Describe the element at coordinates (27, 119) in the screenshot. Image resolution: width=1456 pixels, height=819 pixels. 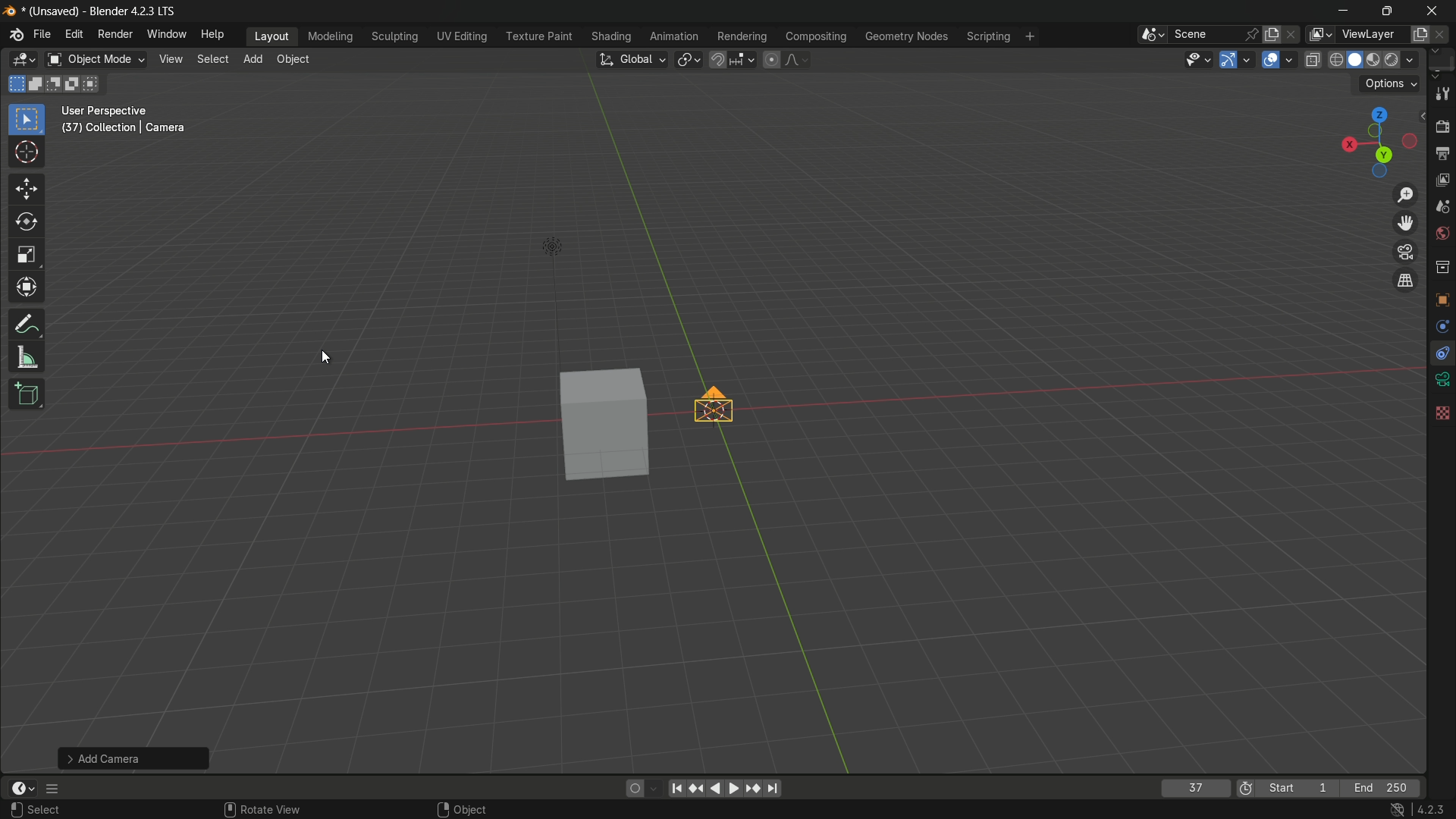
I see `select box` at that location.